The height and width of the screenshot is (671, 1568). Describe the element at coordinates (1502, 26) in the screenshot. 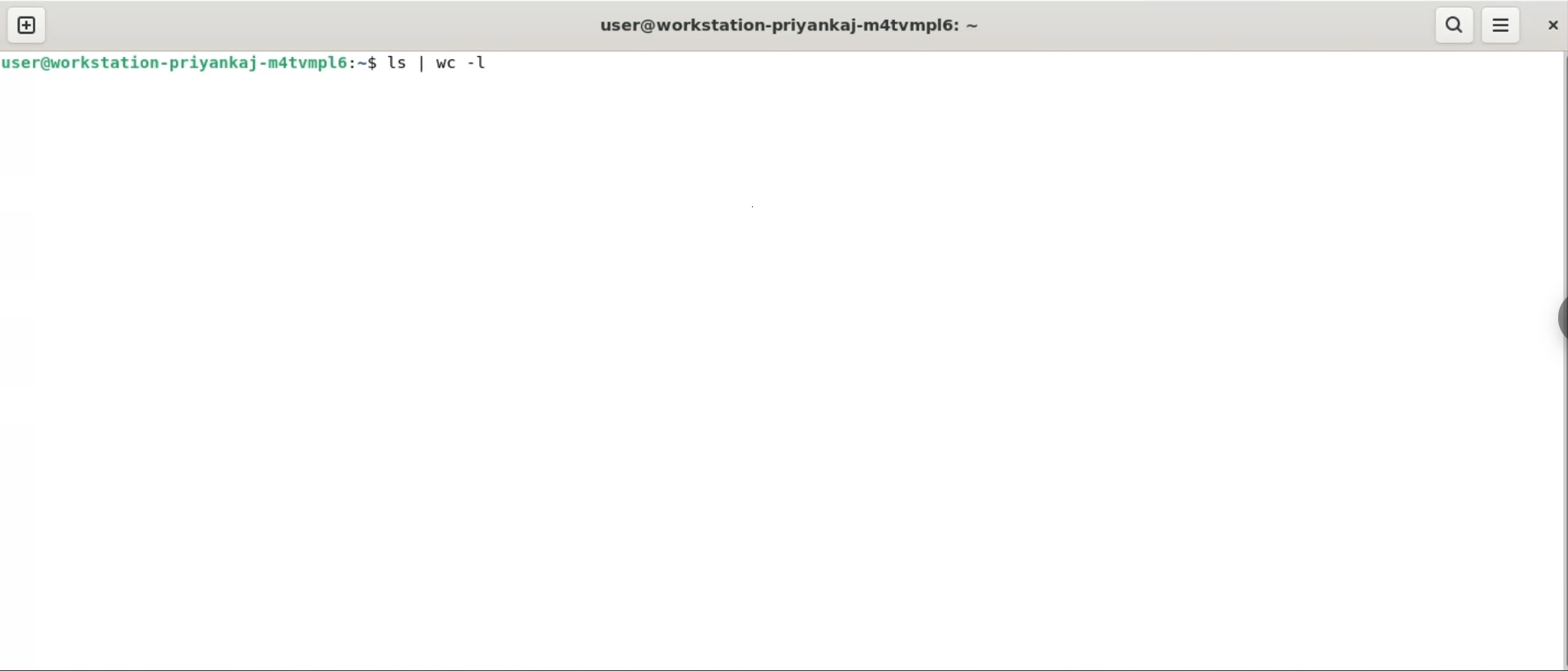

I see `menu` at that location.